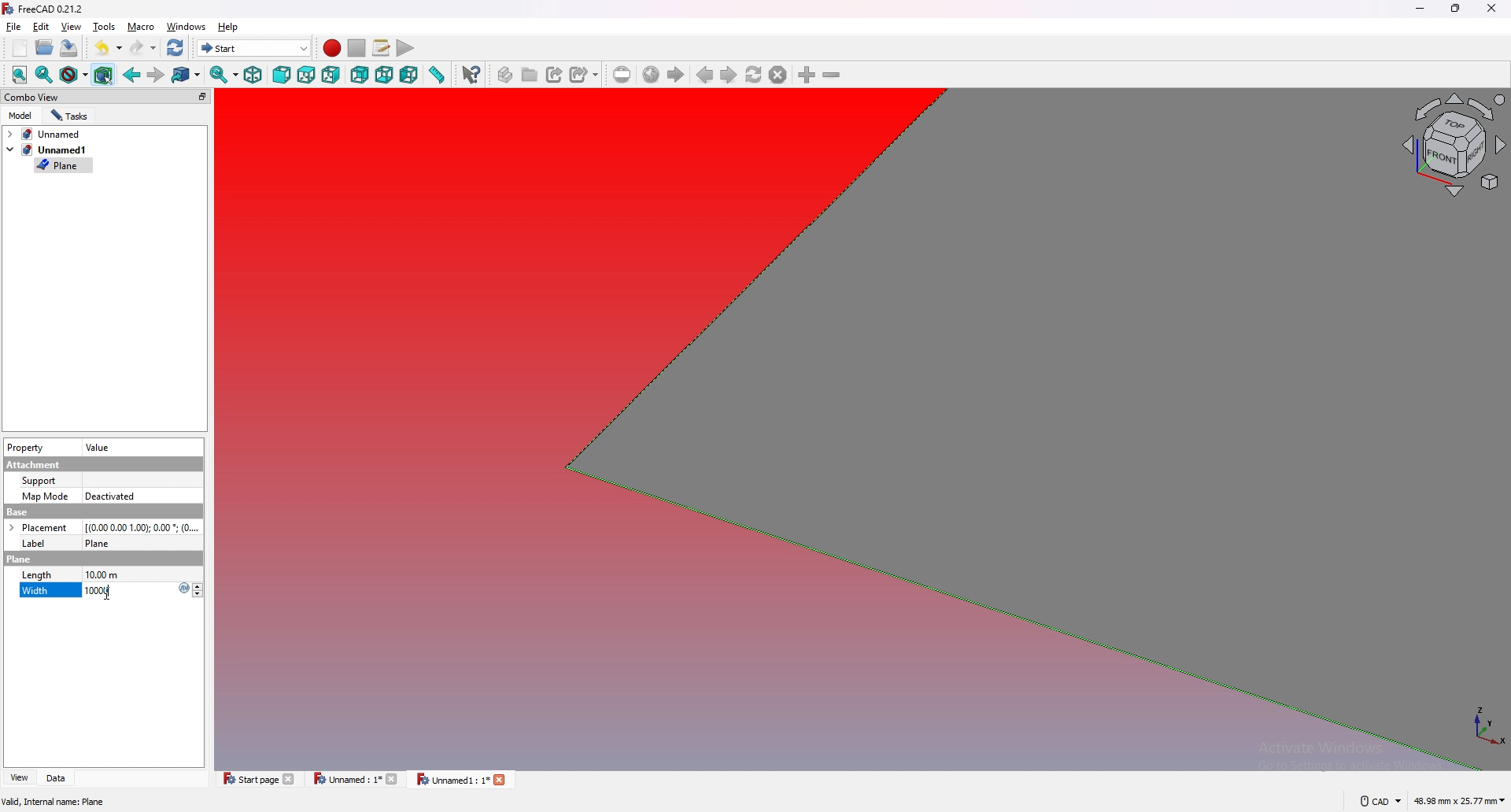 The width and height of the screenshot is (1511, 812). I want to click on stop recording macros, so click(357, 48).